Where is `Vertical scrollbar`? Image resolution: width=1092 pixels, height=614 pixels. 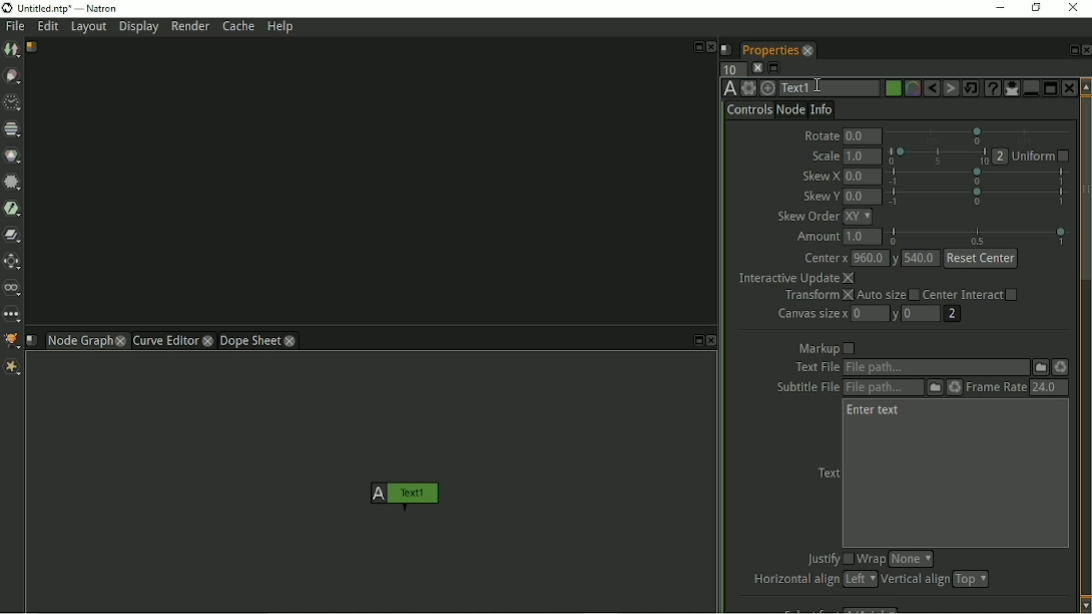
Vertical scrollbar is located at coordinates (1085, 345).